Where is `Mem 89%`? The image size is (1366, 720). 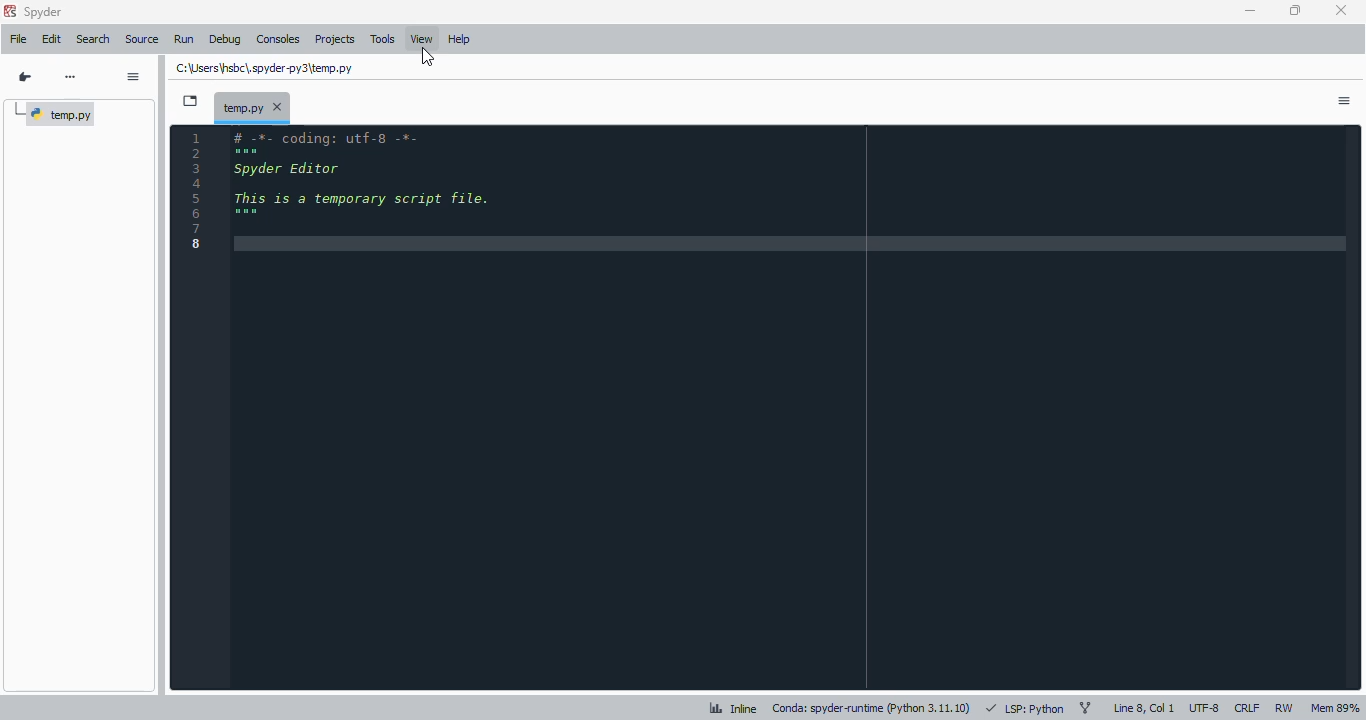
Mem 89% is located at coordinates (1335, 708).